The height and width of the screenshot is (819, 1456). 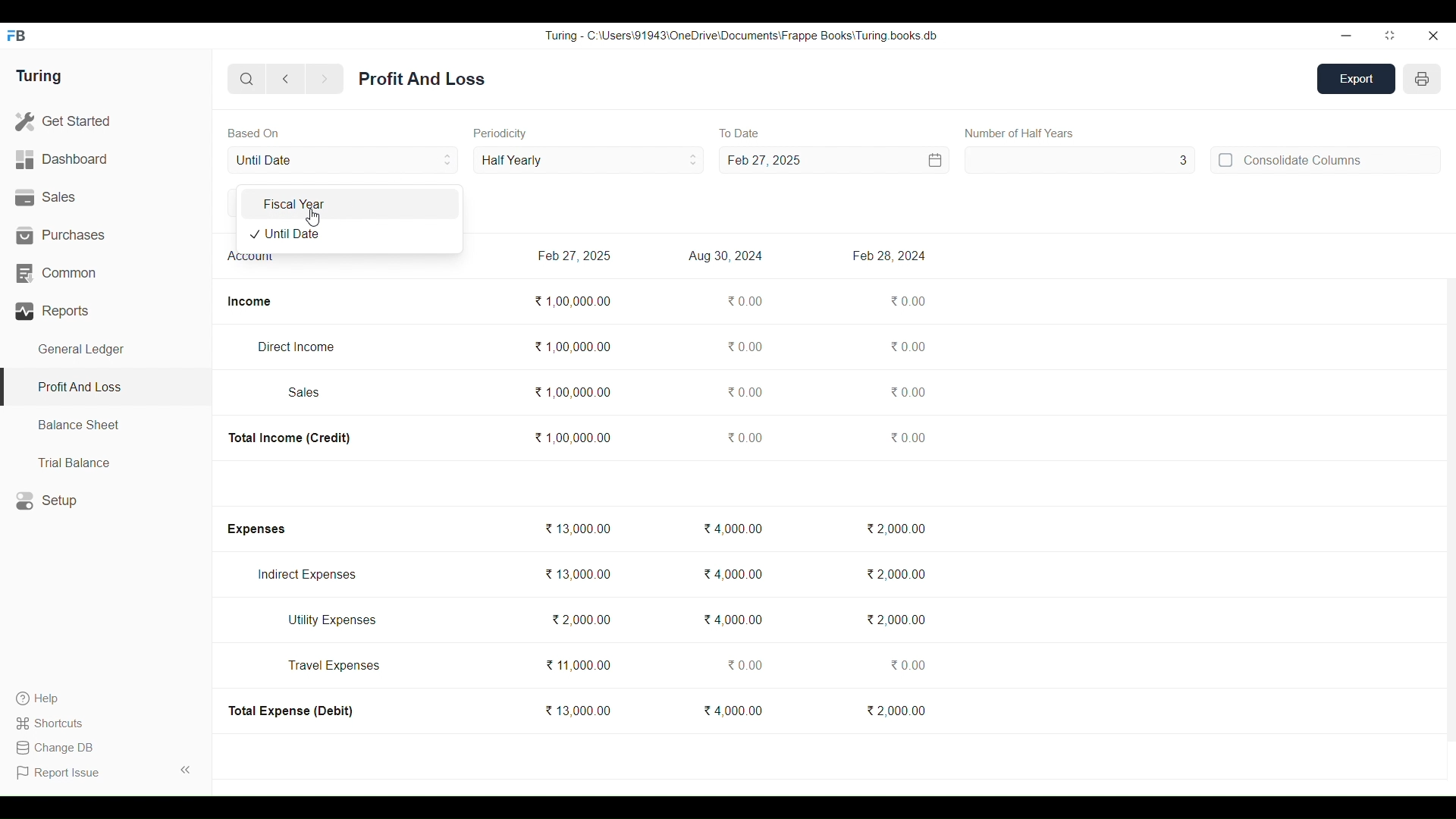 I want to click on Turing - C:\Users\91943\0neDrive\Documents Frappe Books\Turing books db, so click(x=742, y=35).